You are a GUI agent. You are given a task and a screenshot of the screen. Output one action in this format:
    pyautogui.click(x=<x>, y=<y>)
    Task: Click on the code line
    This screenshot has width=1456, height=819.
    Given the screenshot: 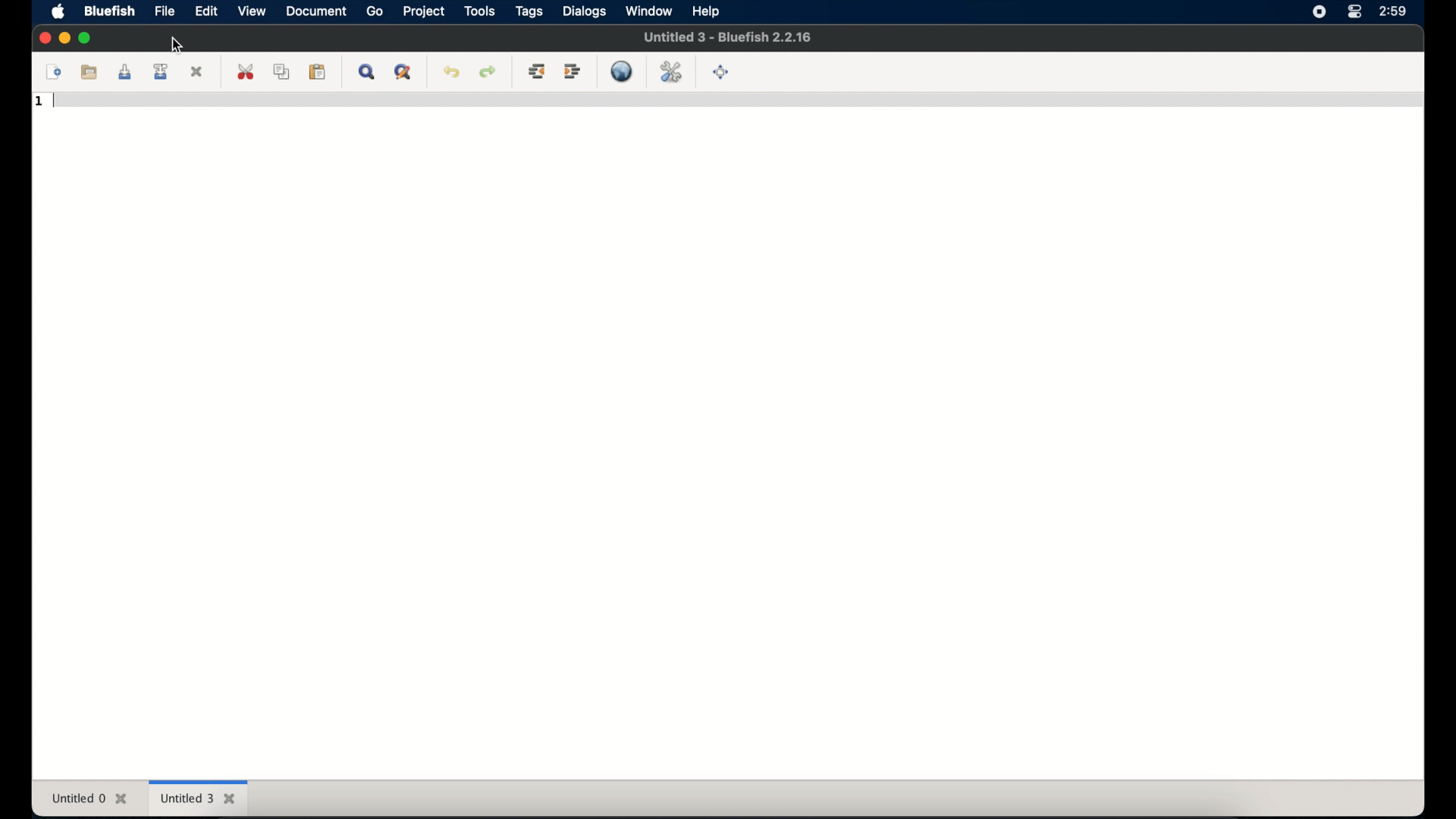 What is the action you would take?
    pyautogui.click(x=735, y=99)
    